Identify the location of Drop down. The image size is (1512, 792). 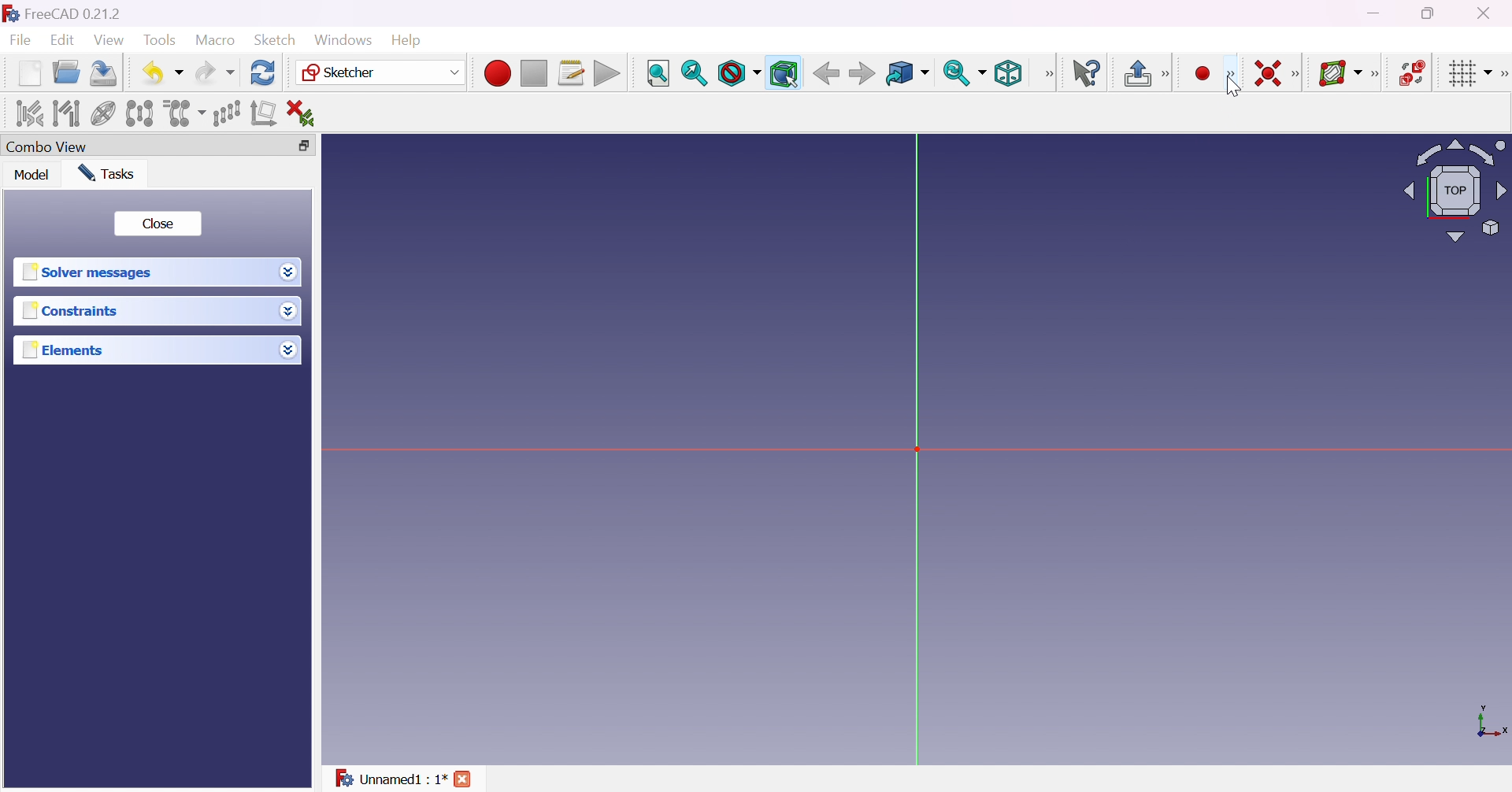
(289, 272).